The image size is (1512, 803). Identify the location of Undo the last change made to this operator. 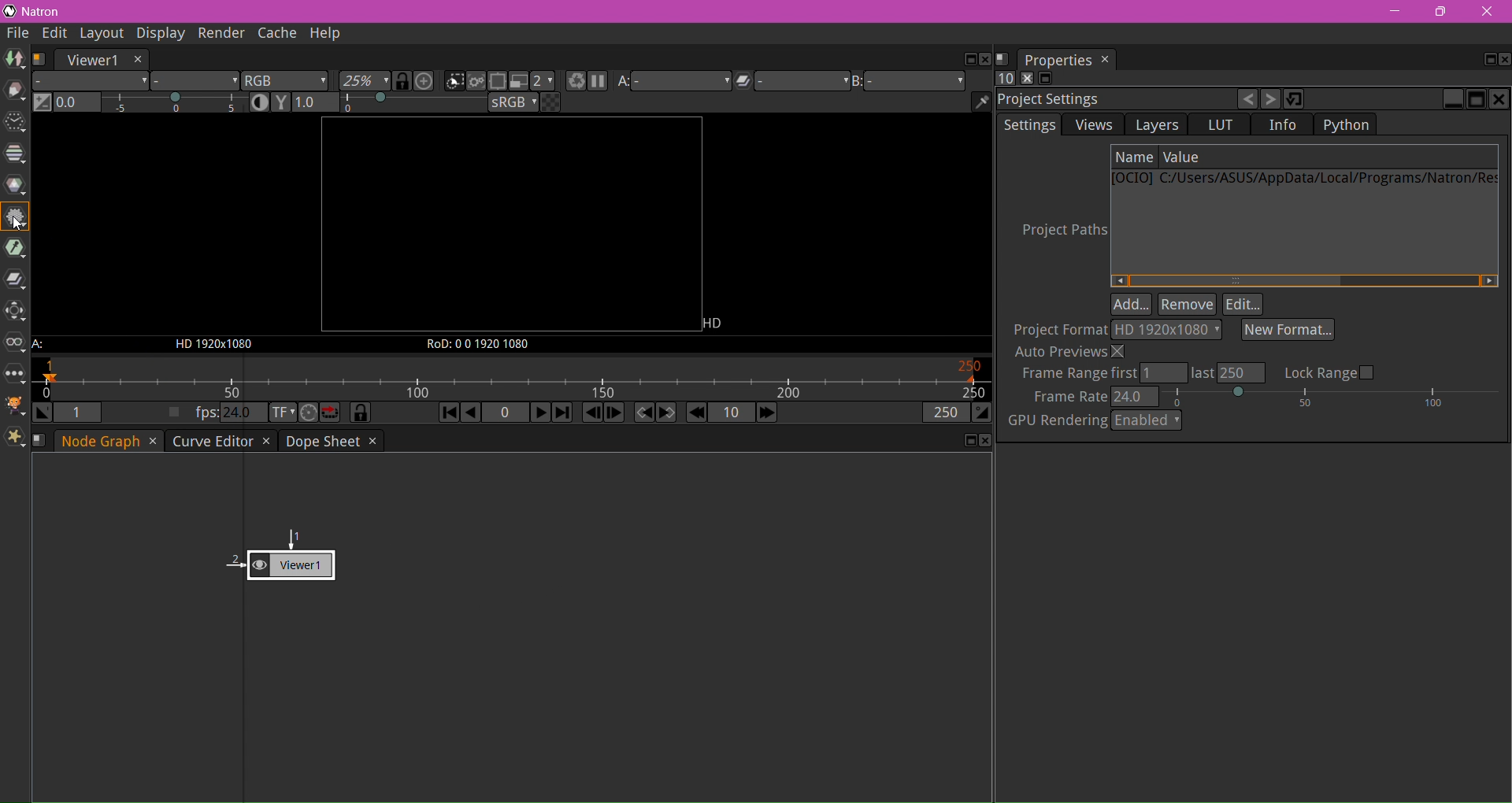
(1248, 101).